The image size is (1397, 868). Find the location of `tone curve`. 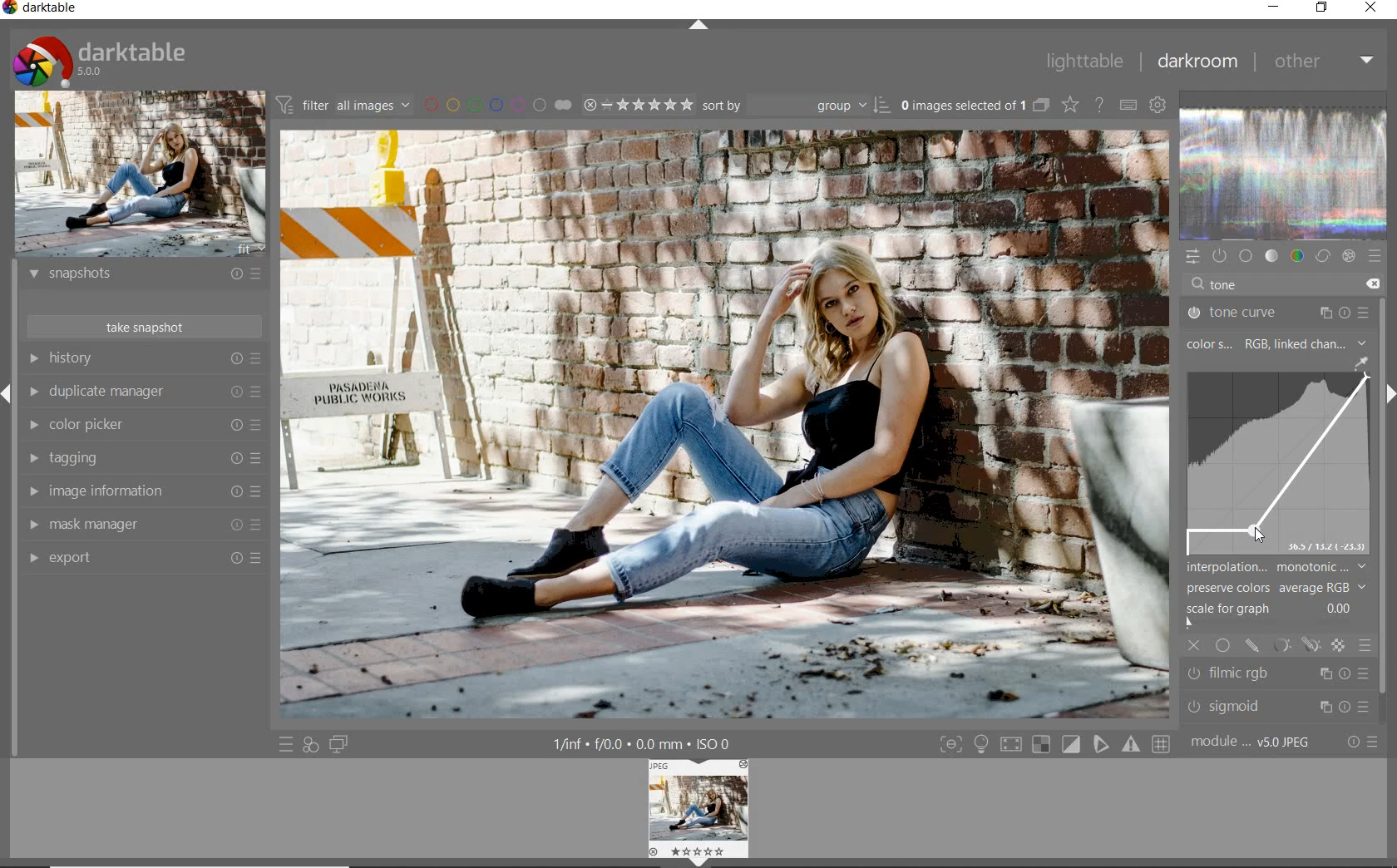

tone curve is located at coordinates (1276, 311).